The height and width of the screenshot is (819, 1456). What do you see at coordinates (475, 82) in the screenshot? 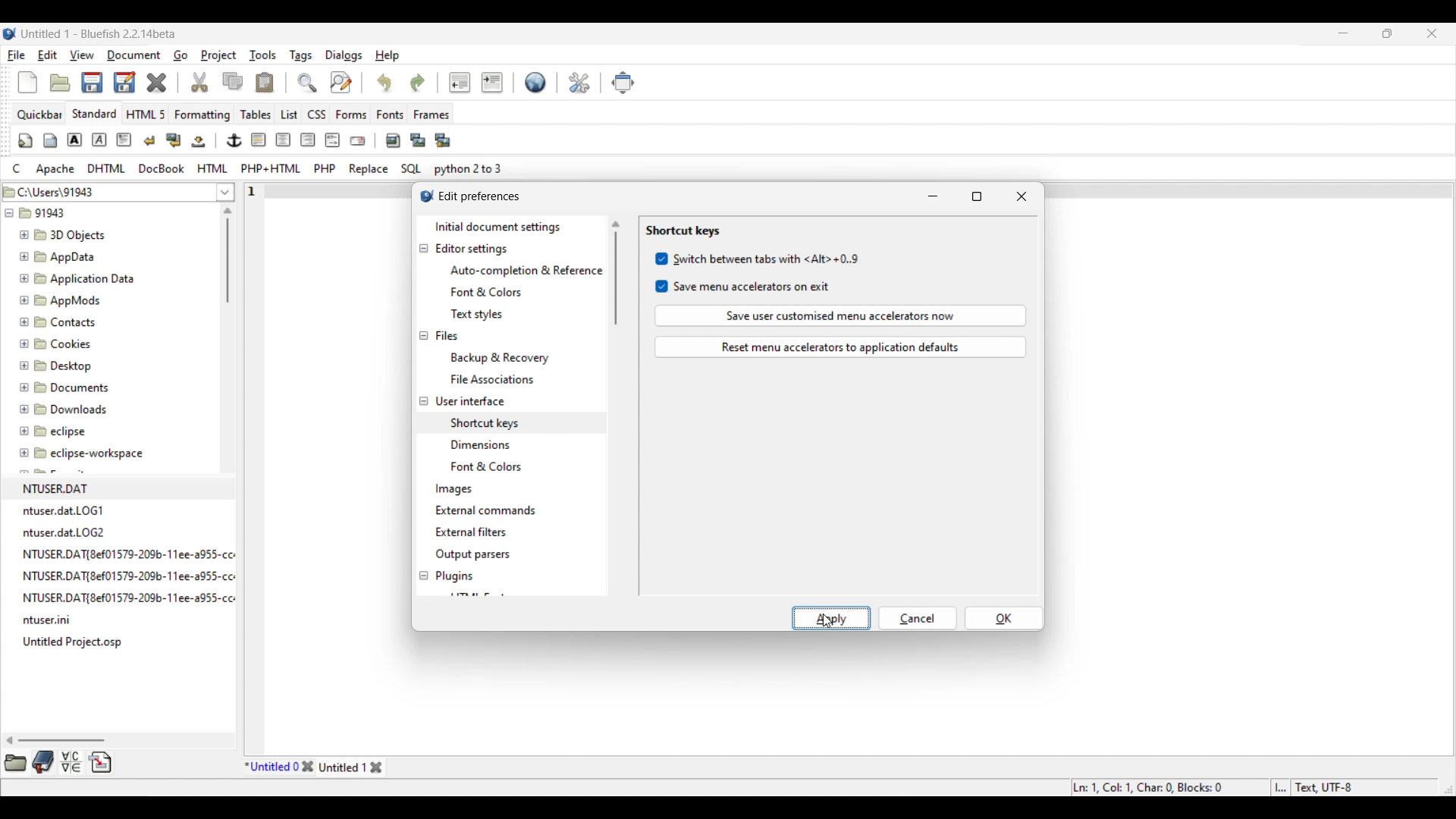
I see `Indentation` at bounding box center [475, 82].